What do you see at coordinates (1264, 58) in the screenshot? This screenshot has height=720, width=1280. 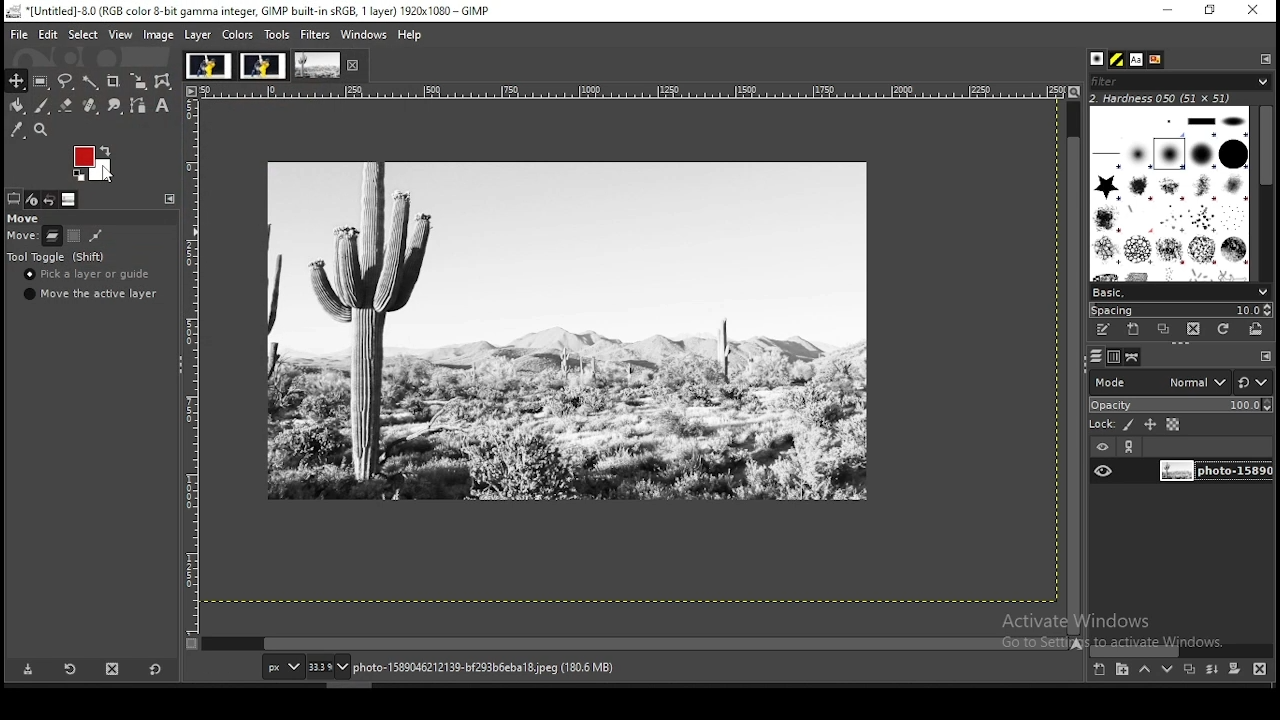 I see `configure this pane` at bounding box center [1264, 58].